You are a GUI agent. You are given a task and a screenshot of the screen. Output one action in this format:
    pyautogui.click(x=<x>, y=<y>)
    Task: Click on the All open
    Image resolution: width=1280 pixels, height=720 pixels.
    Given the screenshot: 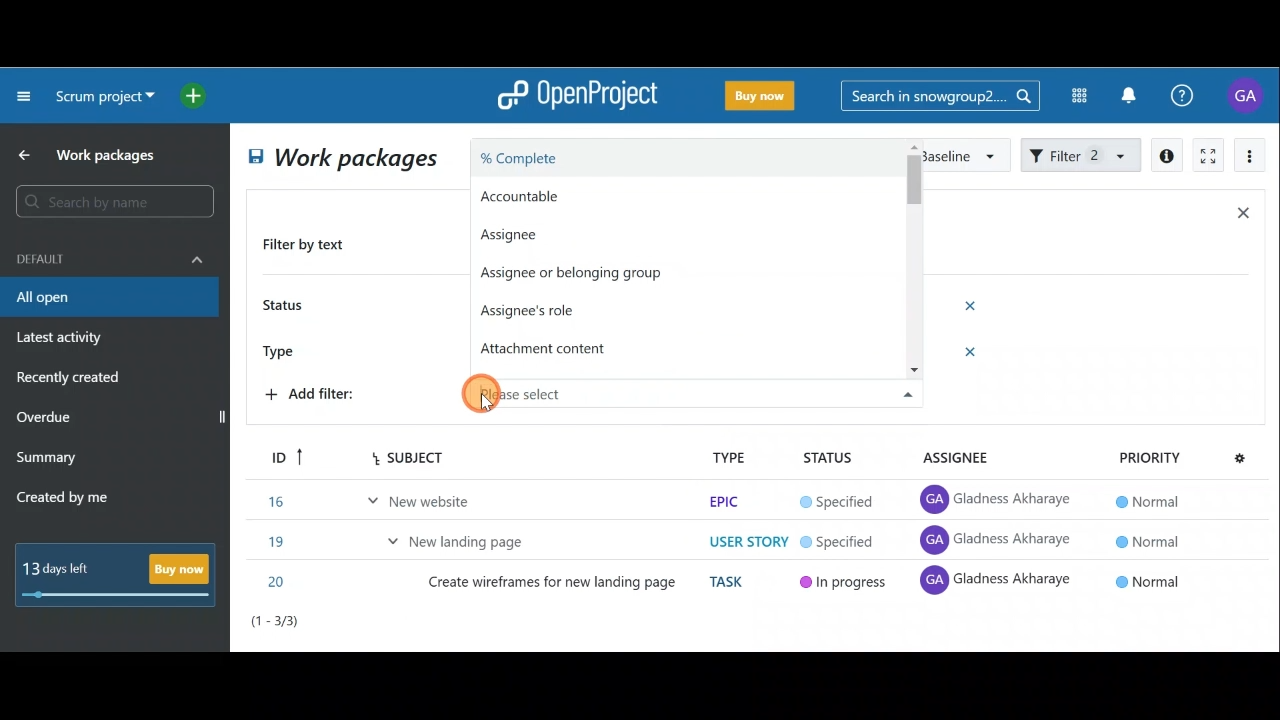 What is the action you would take?
    pyautogui.click(x=108, y=298)
    